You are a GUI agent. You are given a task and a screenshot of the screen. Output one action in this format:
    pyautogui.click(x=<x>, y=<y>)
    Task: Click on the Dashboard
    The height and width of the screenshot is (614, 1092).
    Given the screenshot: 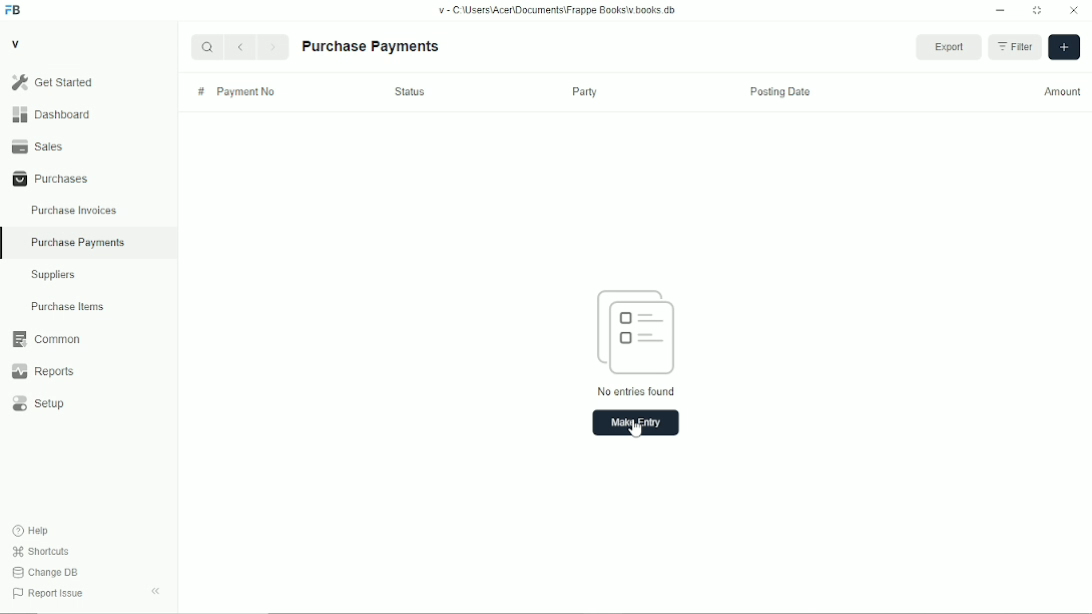 What is the action you would take?
    pyautogui.click(x=88, y=114)
    